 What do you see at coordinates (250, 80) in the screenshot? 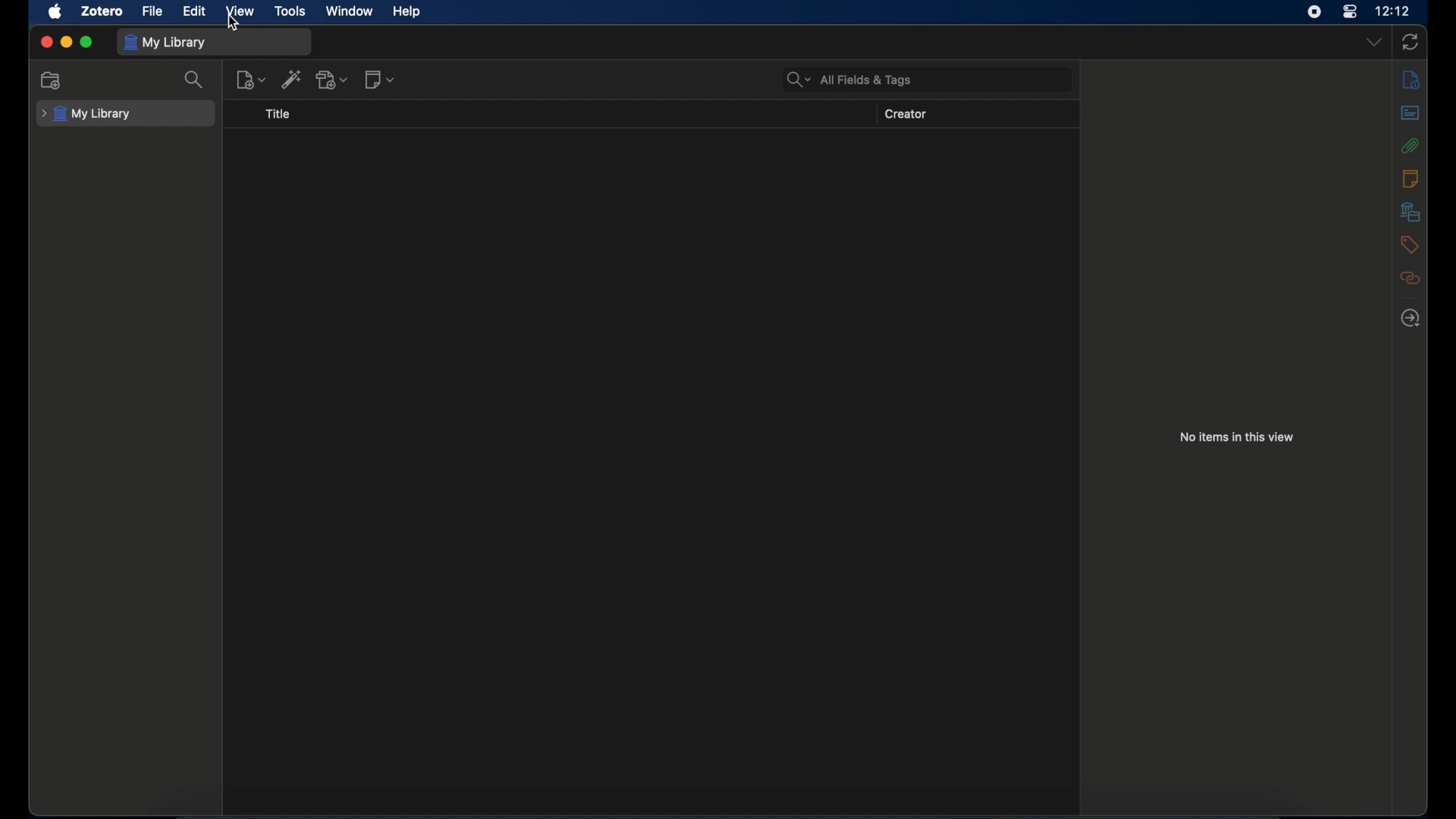
I see `new item` at bounding box center [250, 80].